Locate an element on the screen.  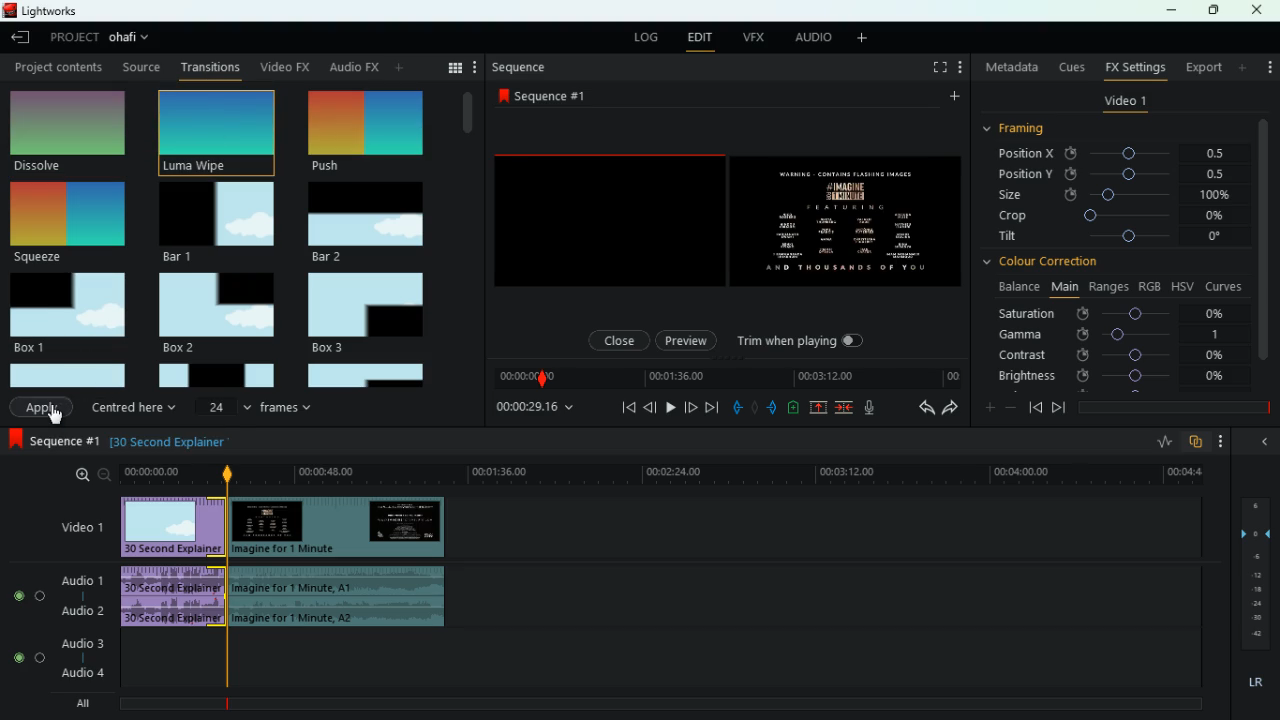
log is located at coordinates (646, 39).